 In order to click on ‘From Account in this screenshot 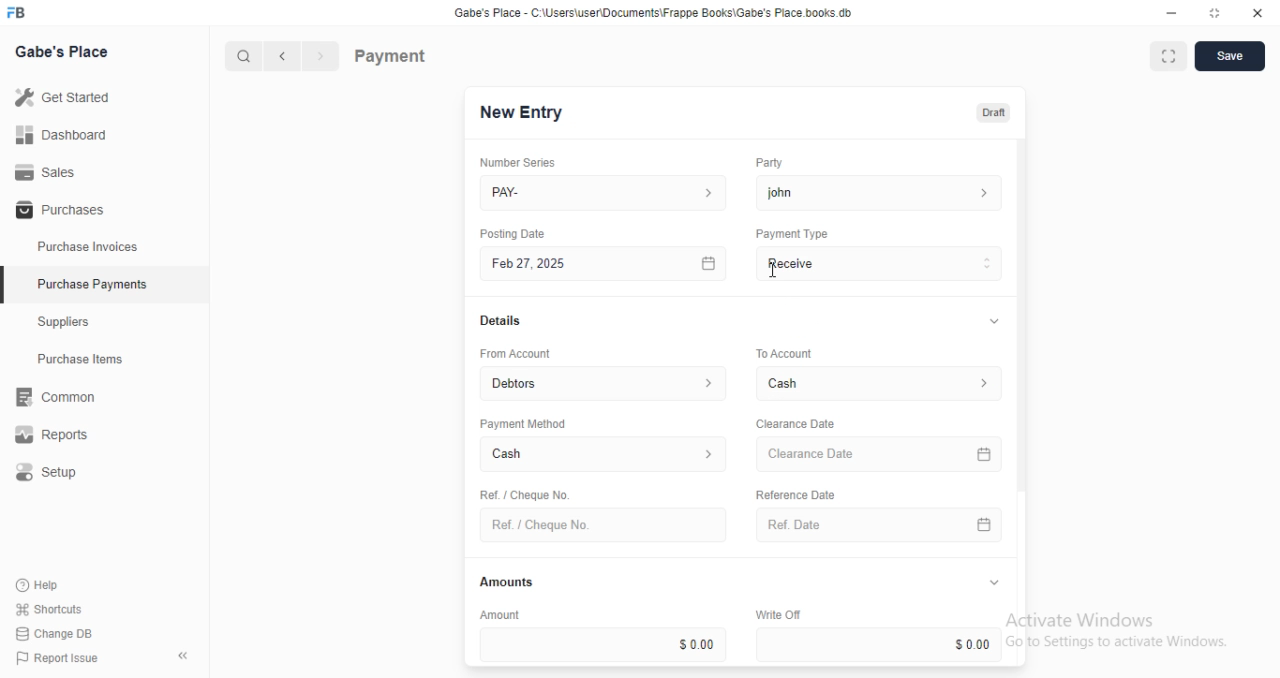, I will do `click(514, 353)`.